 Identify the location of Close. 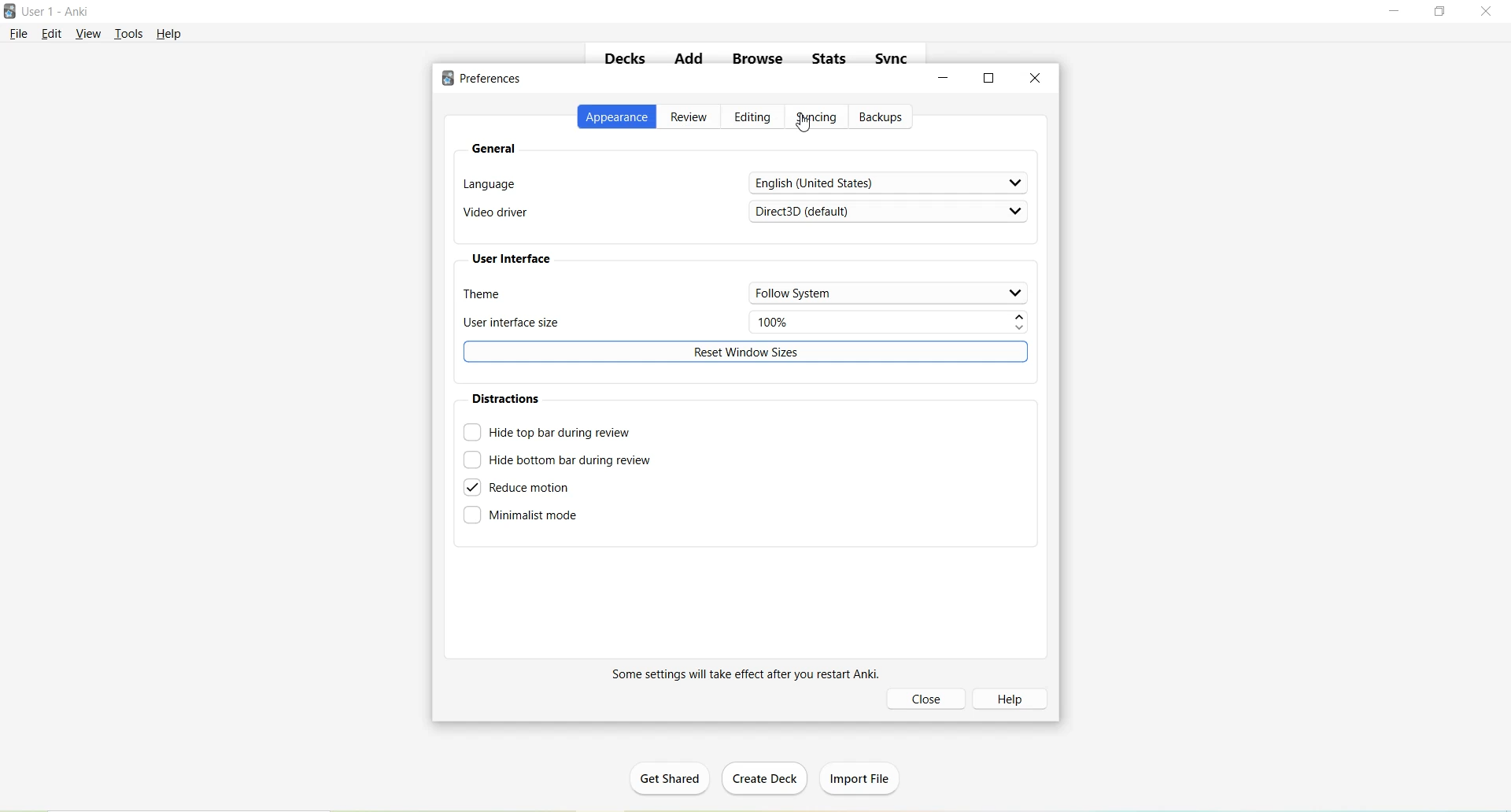
(1036, 78).